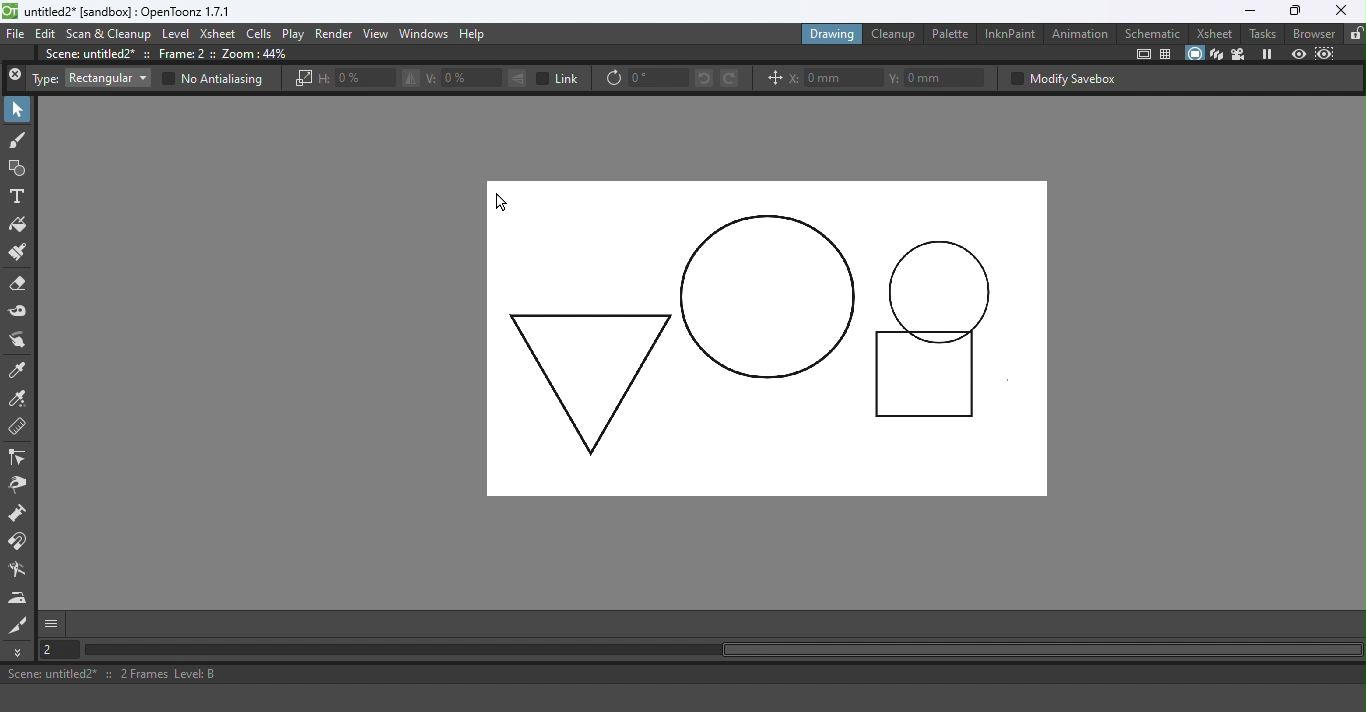  What do you see at coordinates (19, 225) in the screenshot?
I see `Fill tool` at bounding box center [19, 225].